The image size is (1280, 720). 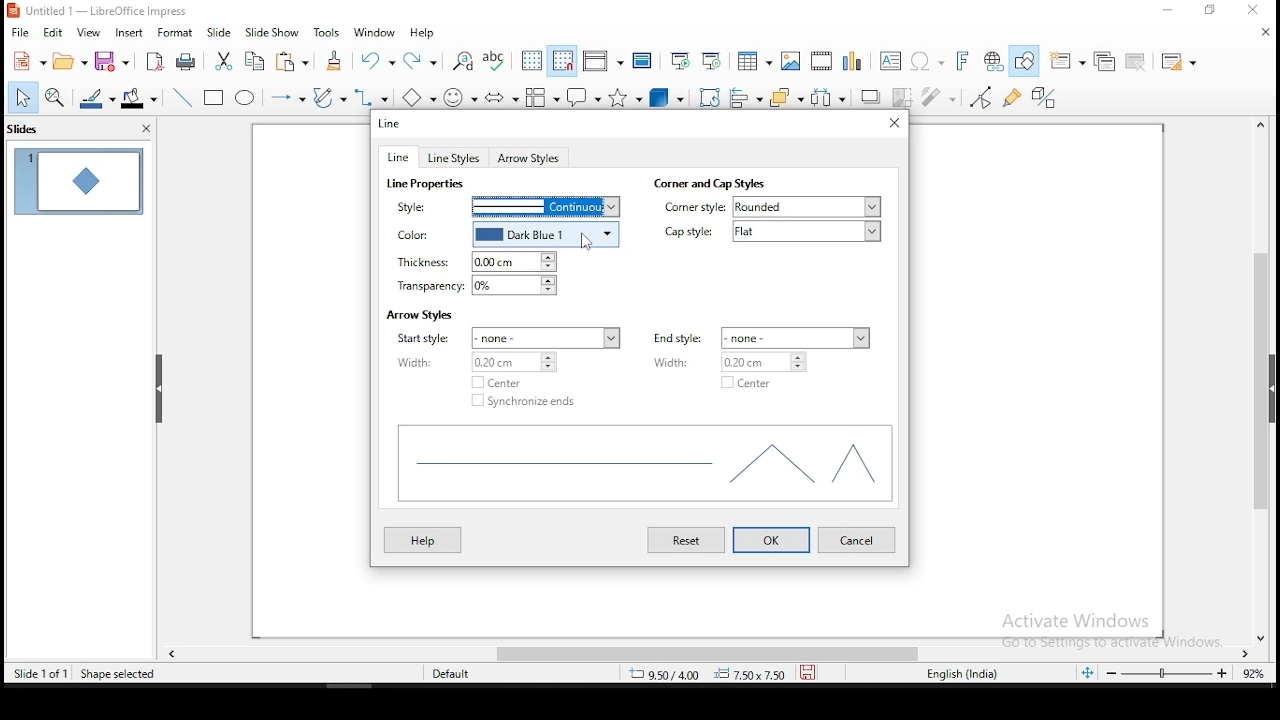 What do you see at coordinates (708, 61) in the screenshot?
I see `start from current slide` at bounding box center [708, 61].